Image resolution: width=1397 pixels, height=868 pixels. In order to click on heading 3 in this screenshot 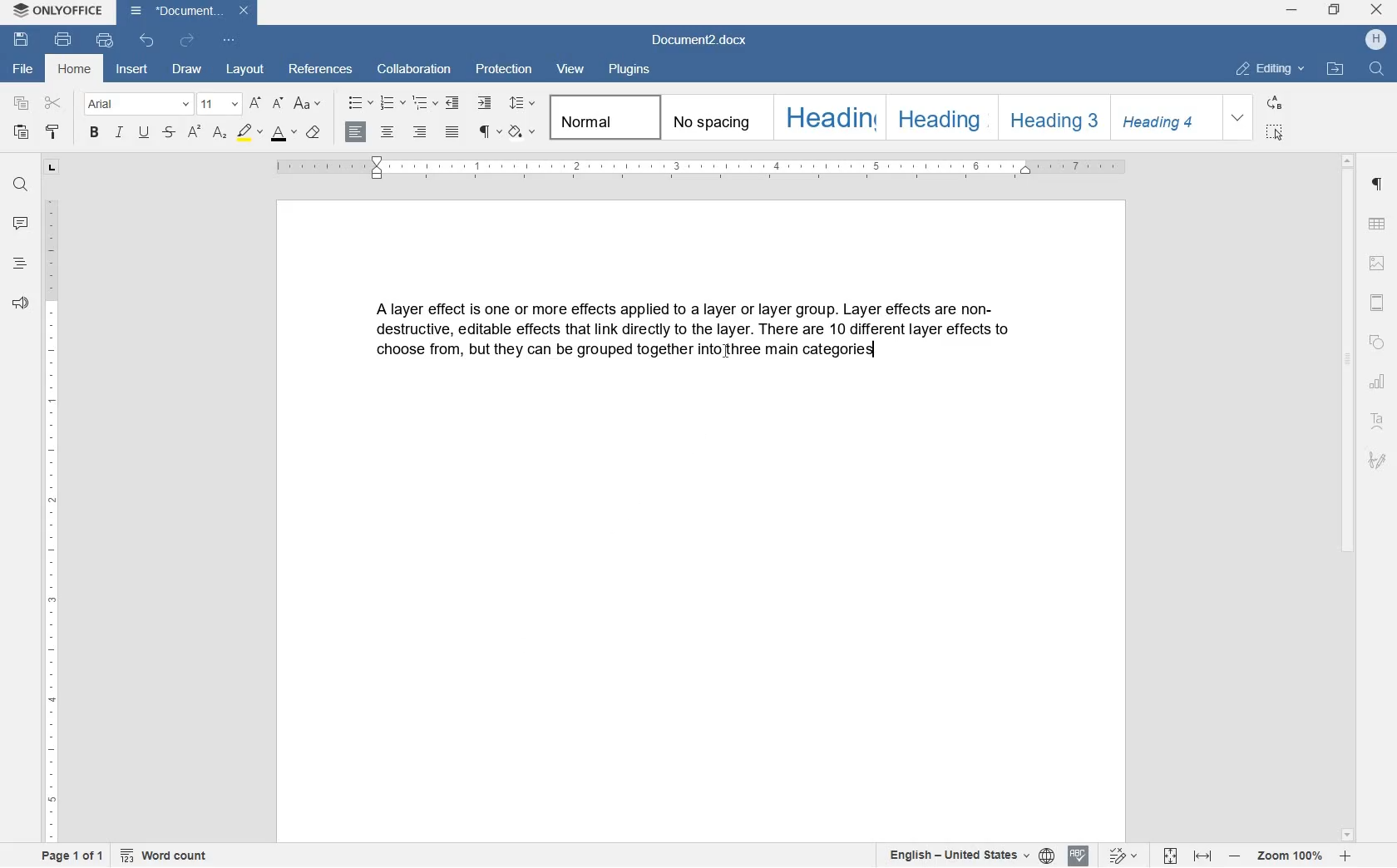, I will do `click(1049, 116)`.